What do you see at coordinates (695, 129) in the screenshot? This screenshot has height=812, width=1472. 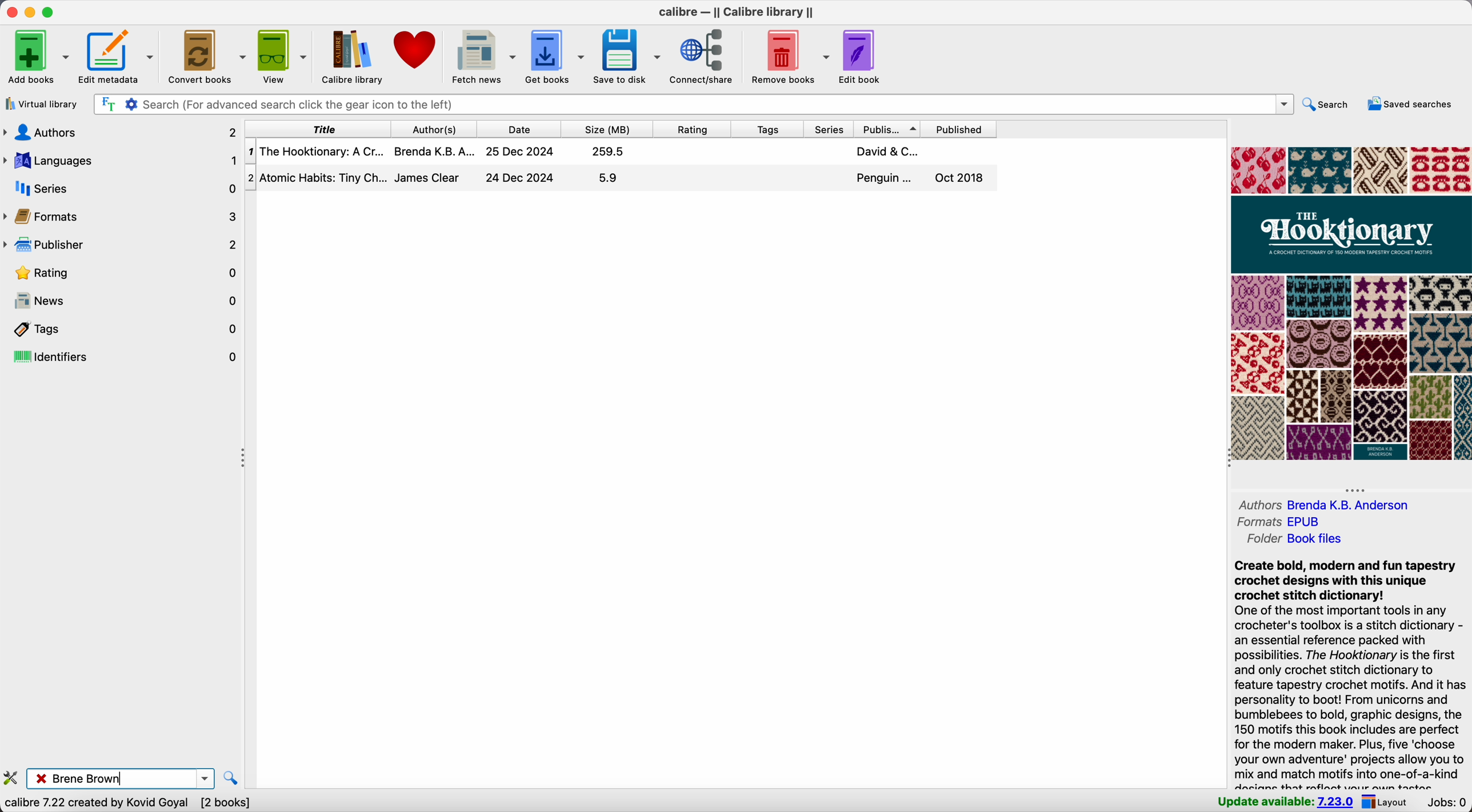 I see `rating` at bounding box center [695, 129].